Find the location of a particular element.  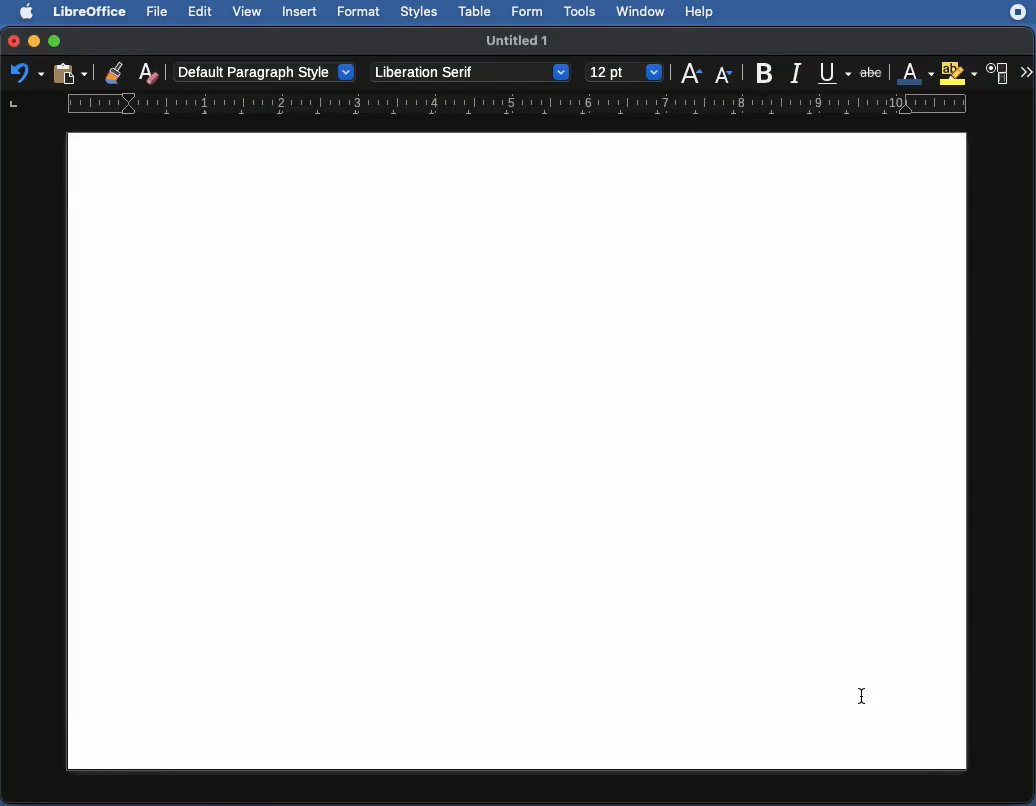

More is located at coordinates (1026, 70).